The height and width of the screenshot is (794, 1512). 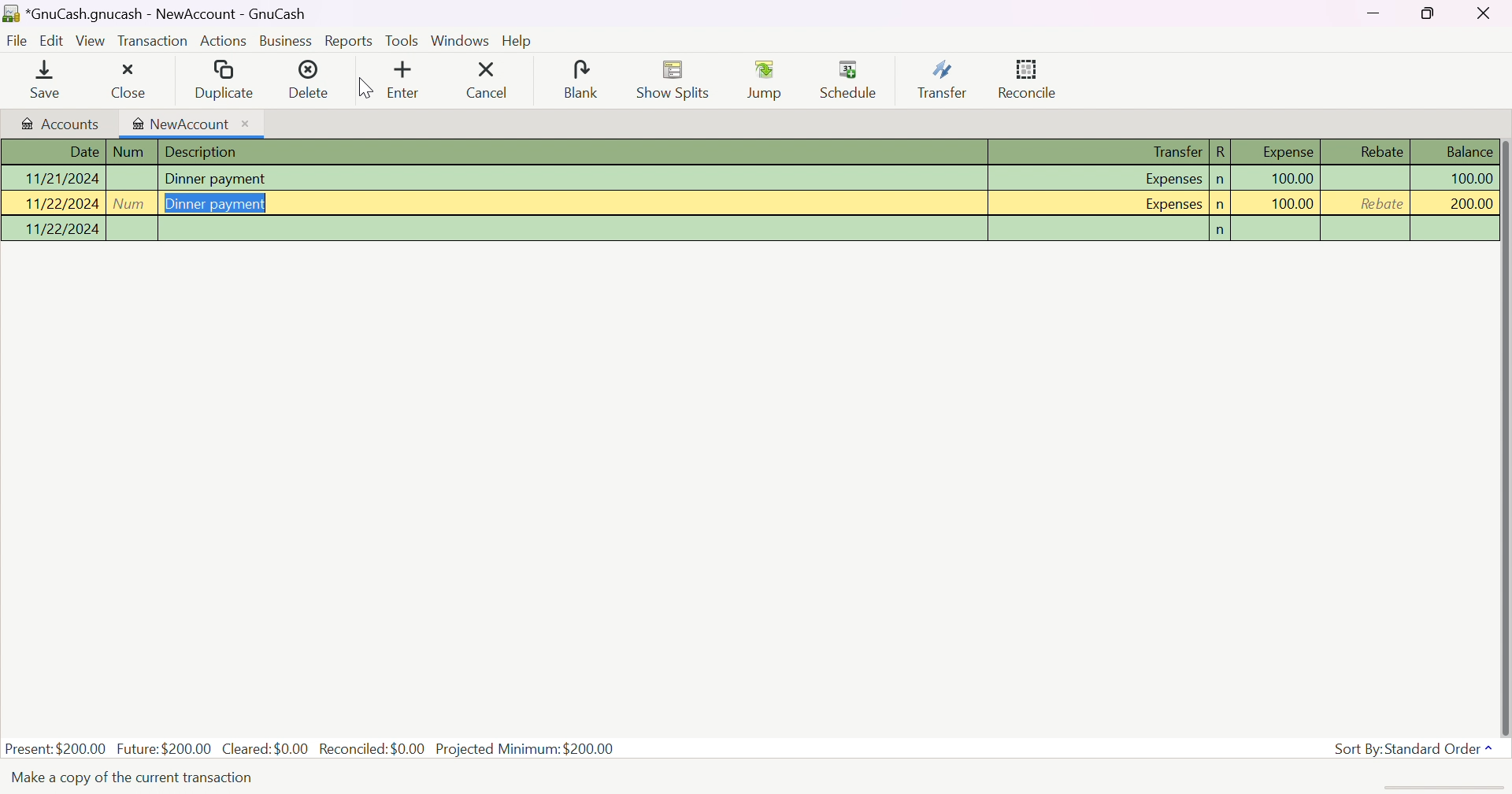 I want to click on n, so click(x=1217, y=181).